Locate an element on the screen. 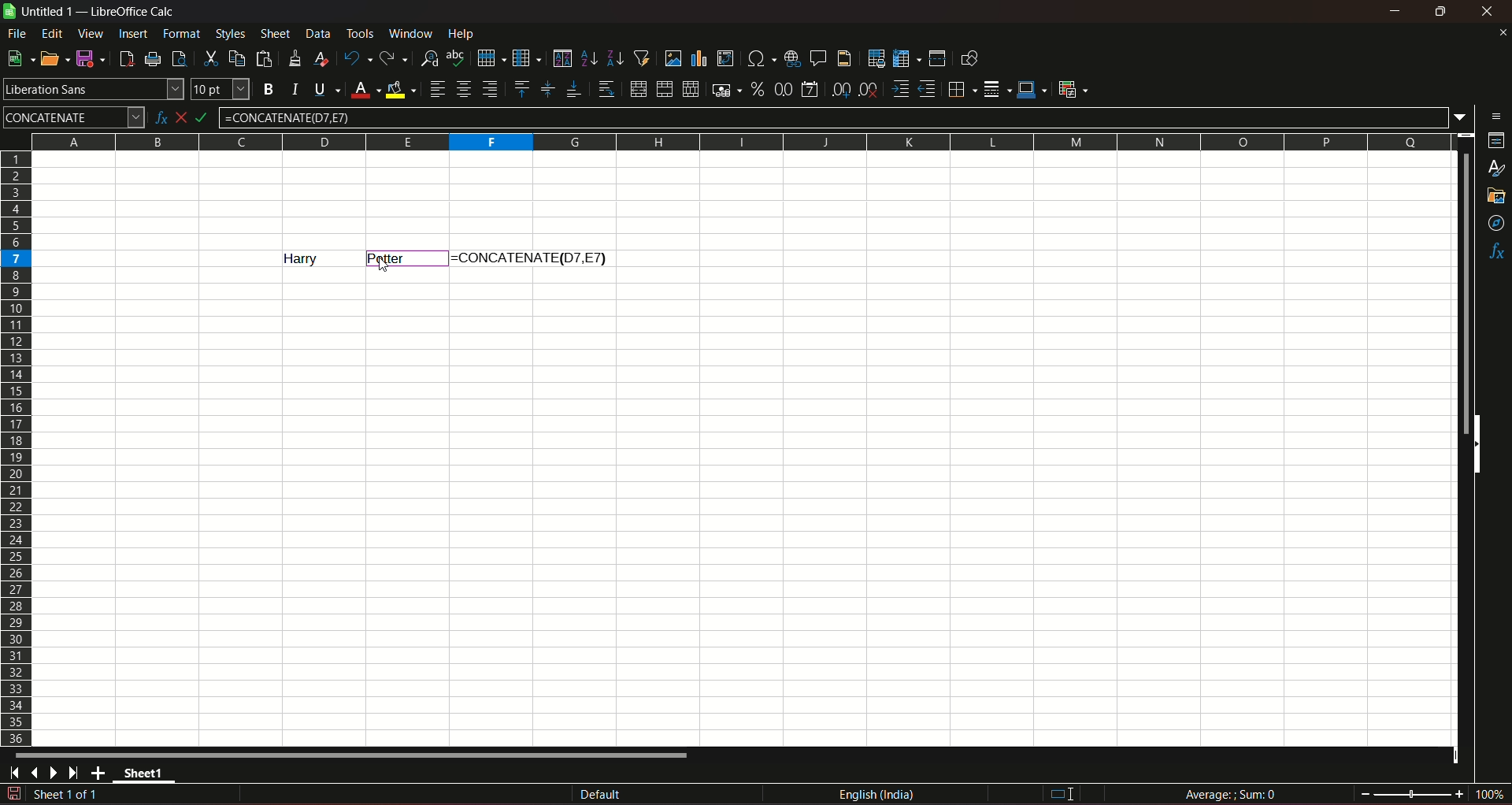  open is located at coordinates (51, 58).